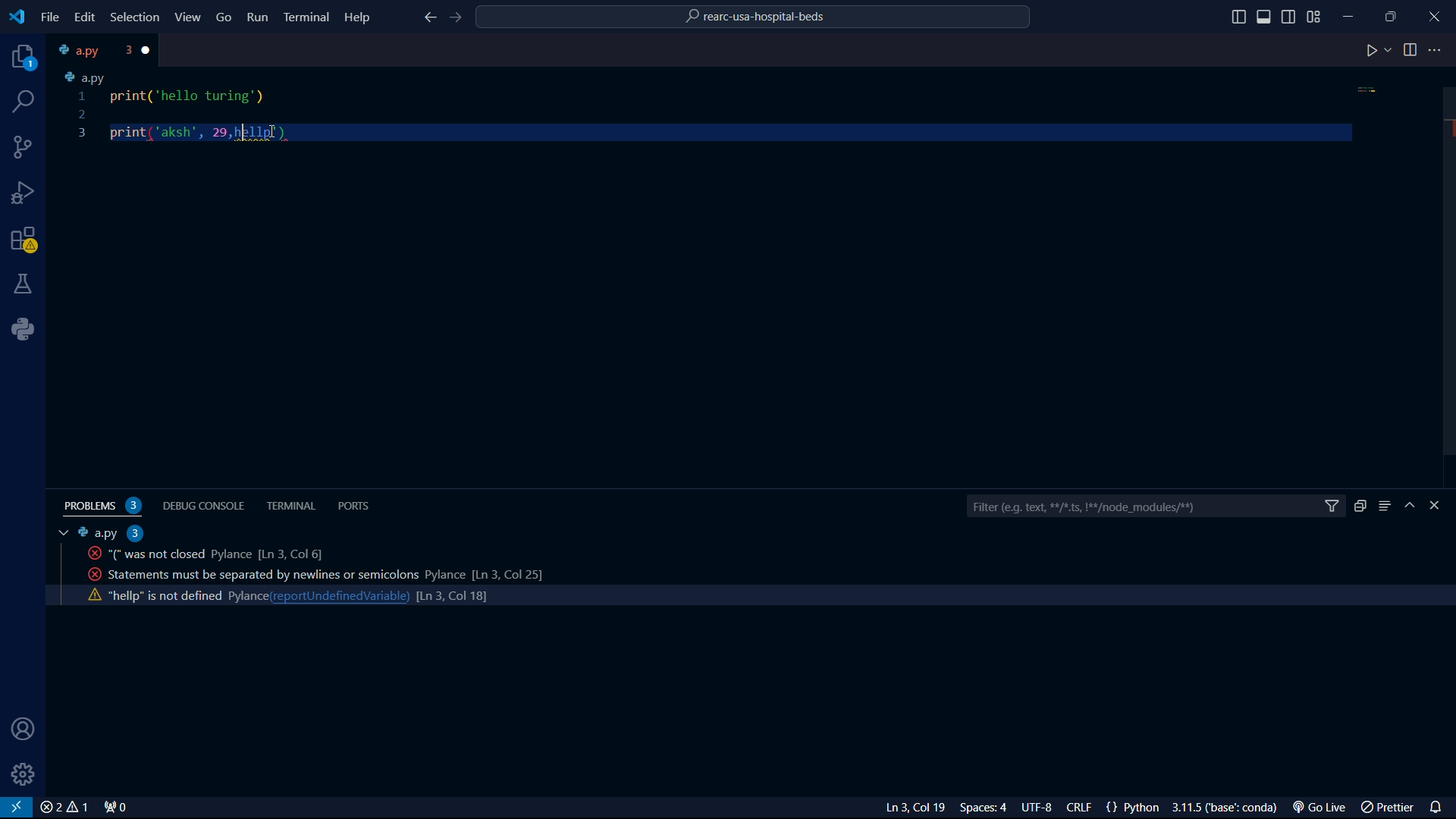  Describe the element at coordinates (24, 242) in the screenshot. I see `warning` at that location.